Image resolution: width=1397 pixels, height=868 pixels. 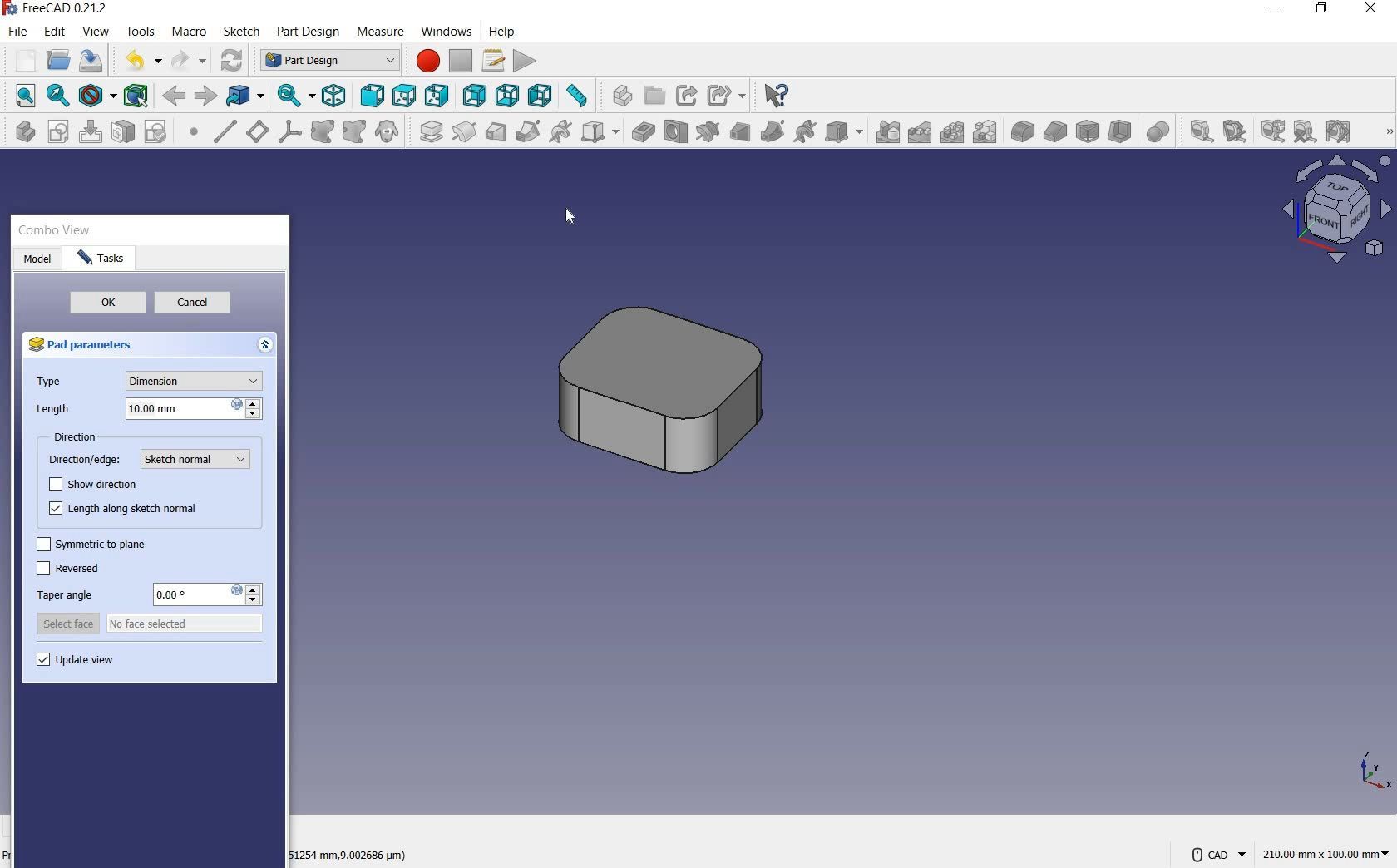 I want to click on switch between workbenches, so click(x=327, y=60).